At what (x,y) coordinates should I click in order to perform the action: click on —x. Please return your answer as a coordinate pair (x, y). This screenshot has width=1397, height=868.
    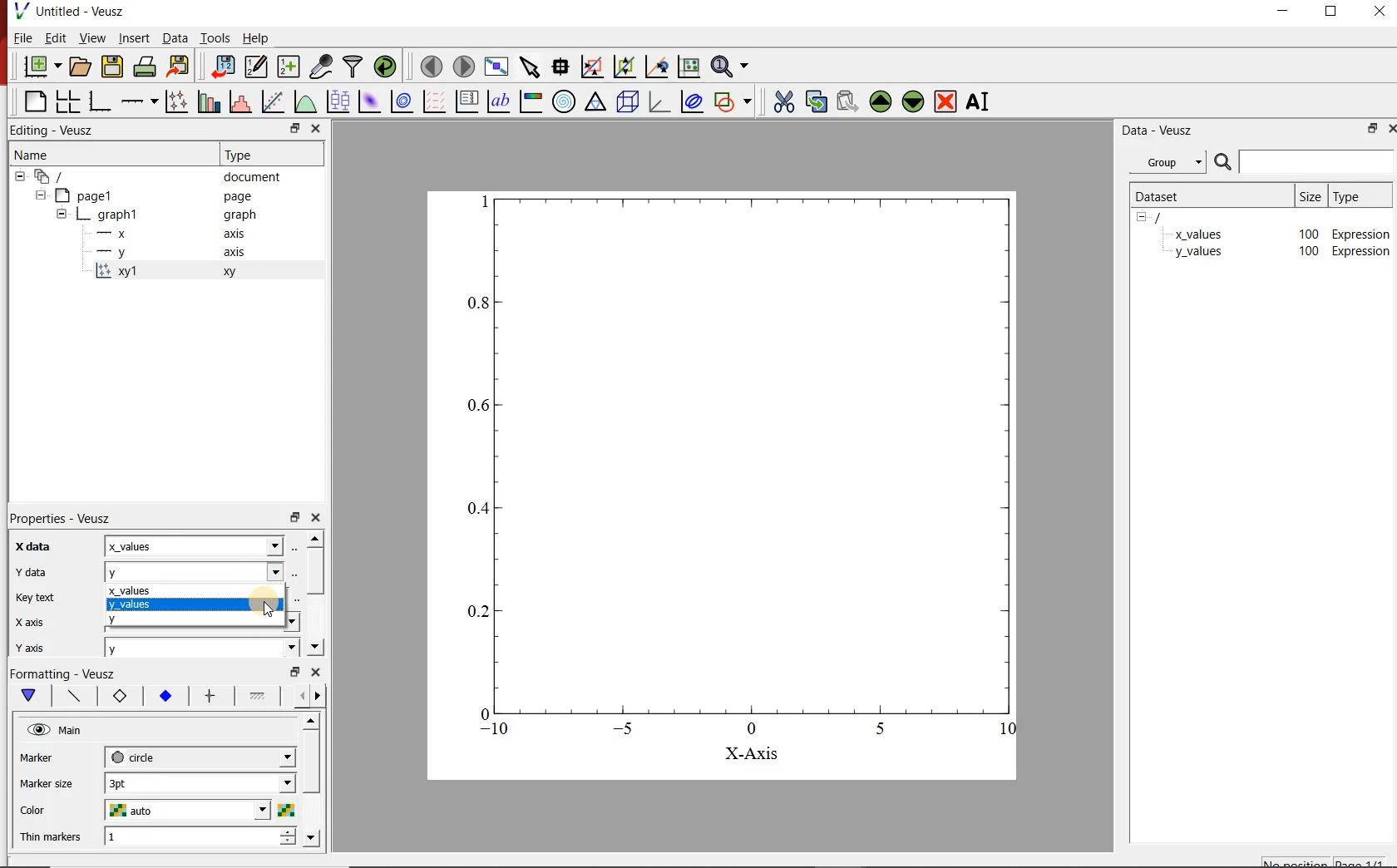
    Looking at the image, I should click on (116, 232).